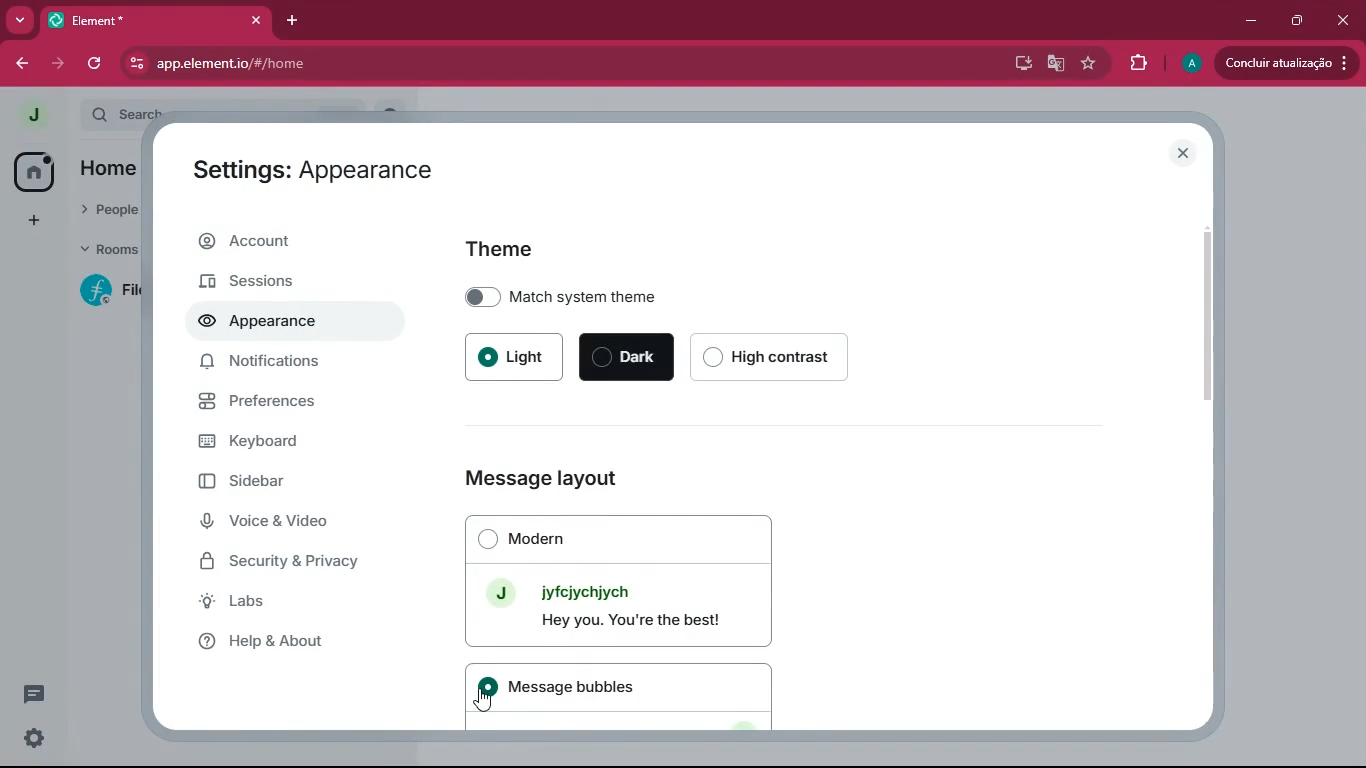 This screenshot has height=768, width=1366. I want to click on update, so click(1285, 62).